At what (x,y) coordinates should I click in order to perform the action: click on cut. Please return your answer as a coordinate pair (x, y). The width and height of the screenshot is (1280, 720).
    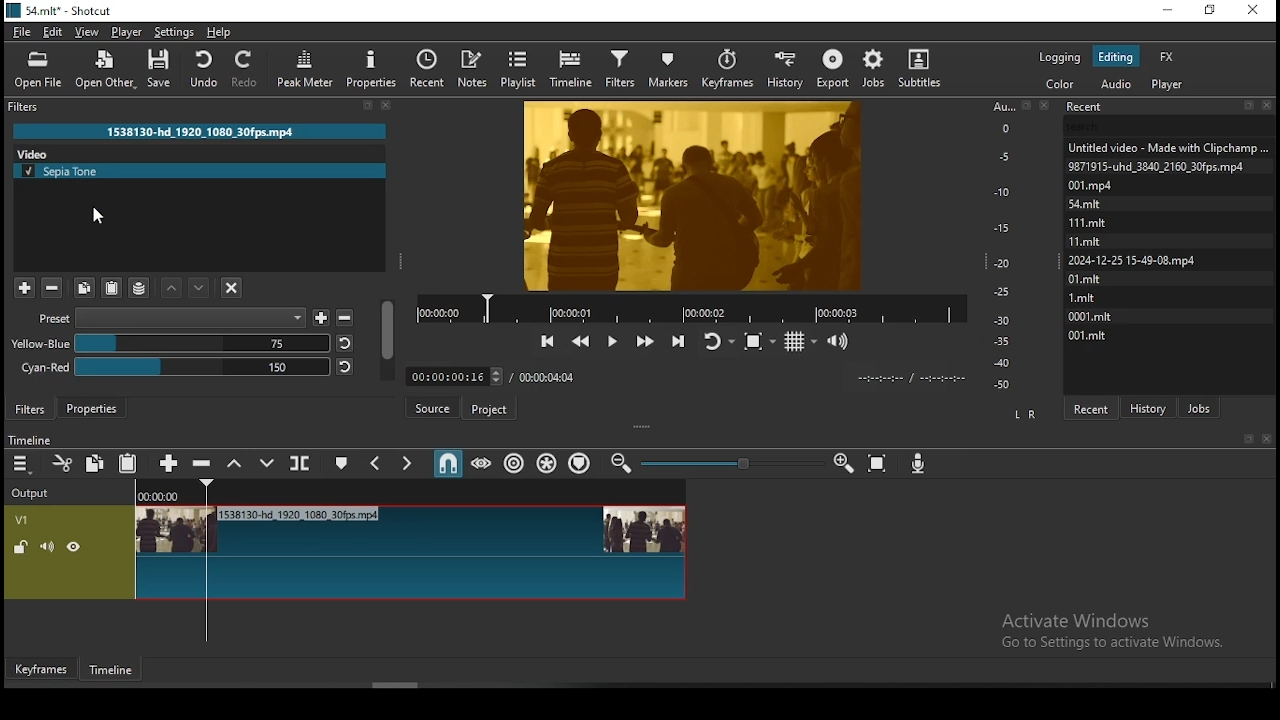
    Looking at the image, I should click on (65, 463).